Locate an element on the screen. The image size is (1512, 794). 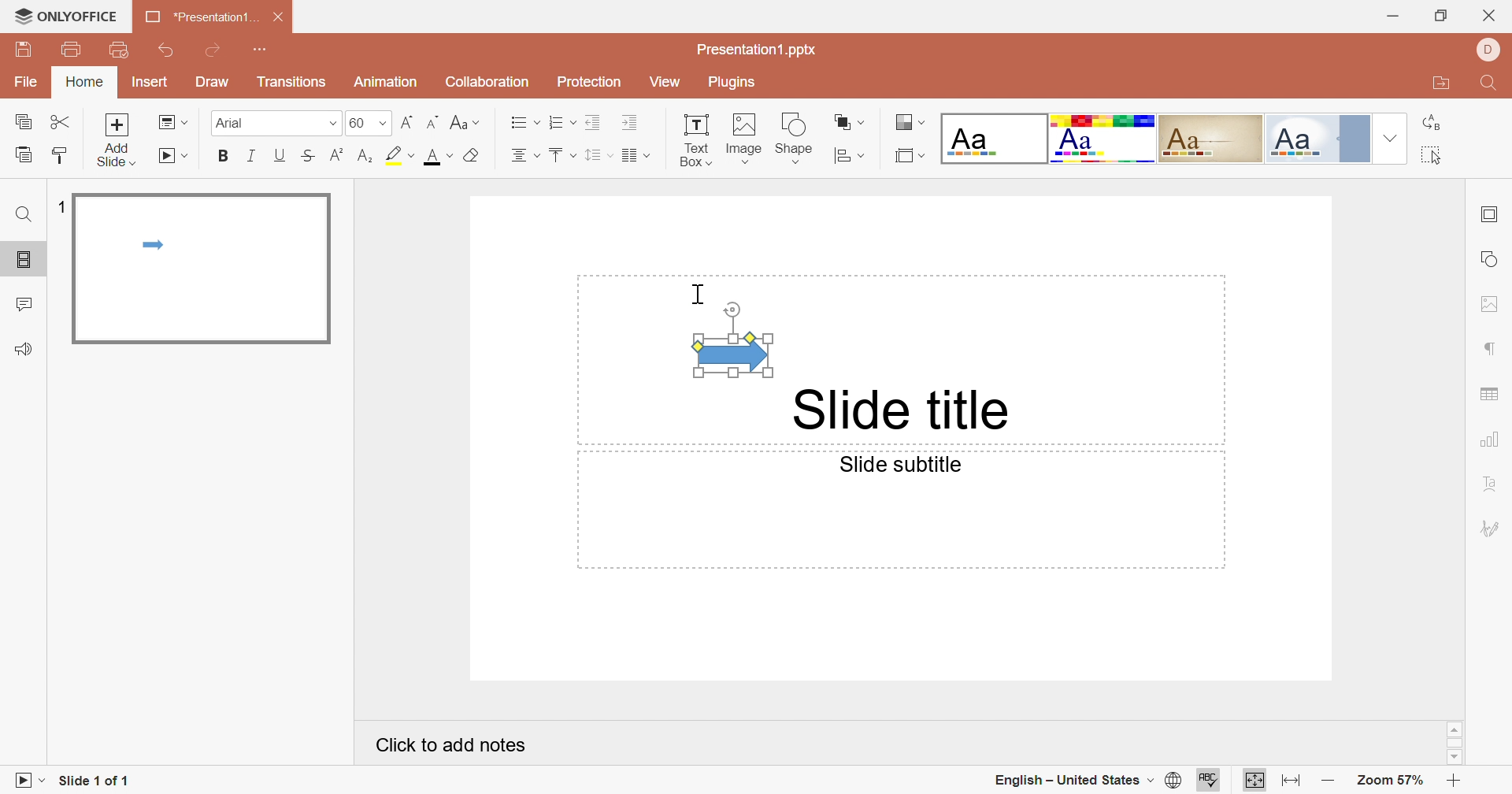
Font is located at coordinates (275, 123).